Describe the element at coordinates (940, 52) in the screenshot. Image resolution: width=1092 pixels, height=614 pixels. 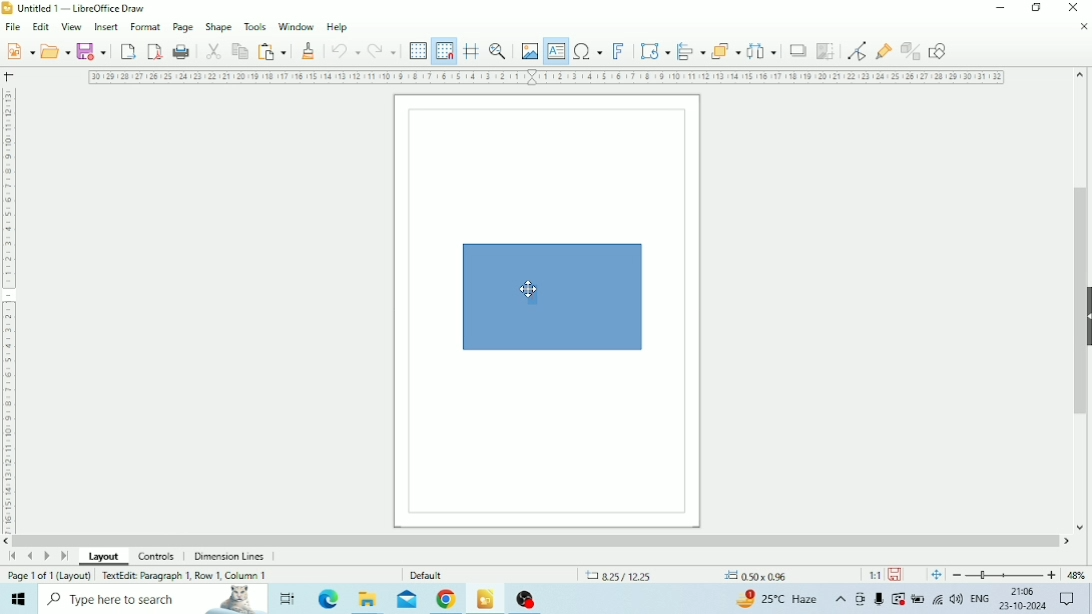
I see `Show Draw Functions` at that location.